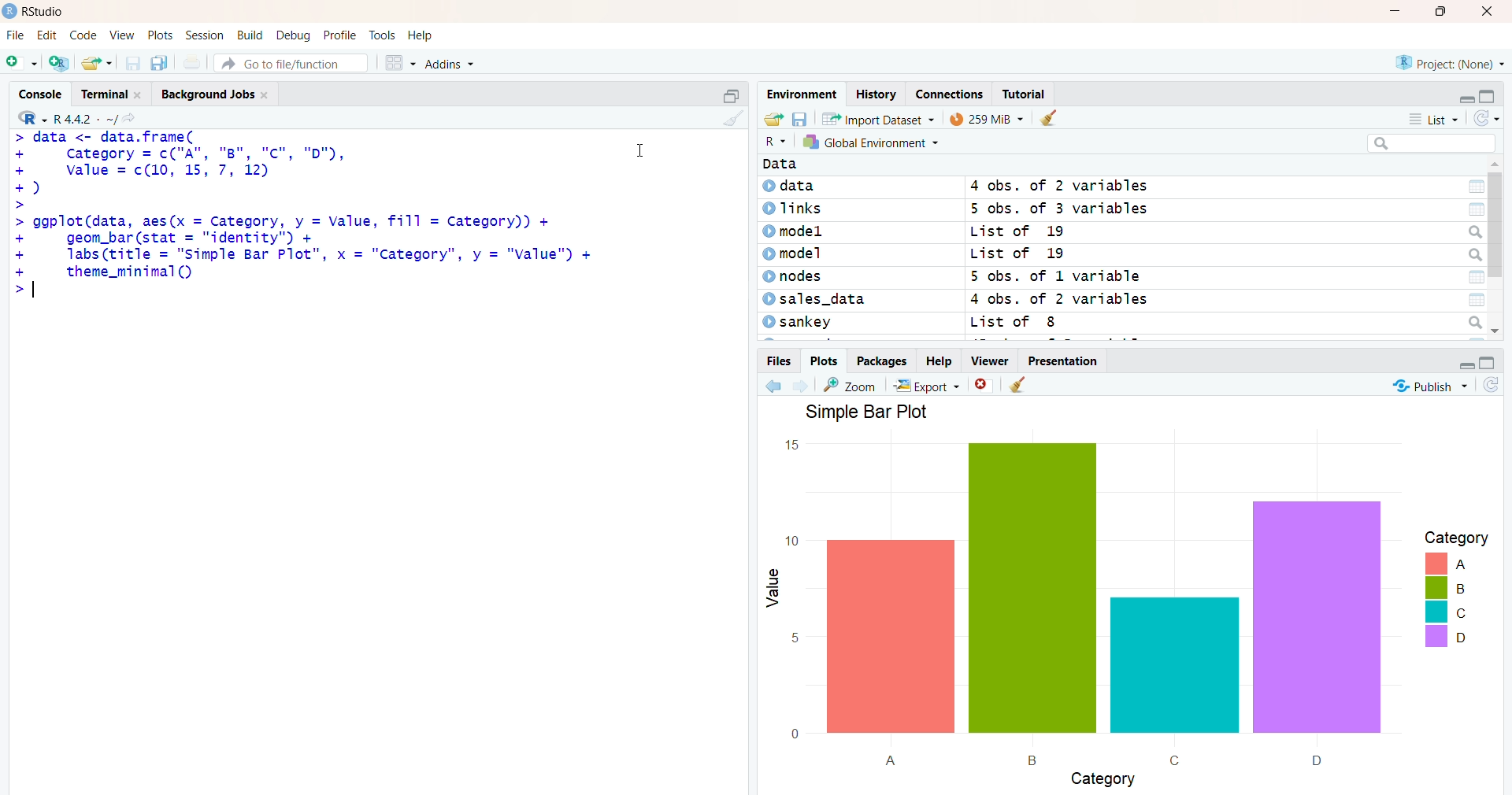 Image resolution: width=1512 pixels, height=795 pixels. Describe the element at coordinates (44, 92) in the screenshot. I see `Console` at that location.